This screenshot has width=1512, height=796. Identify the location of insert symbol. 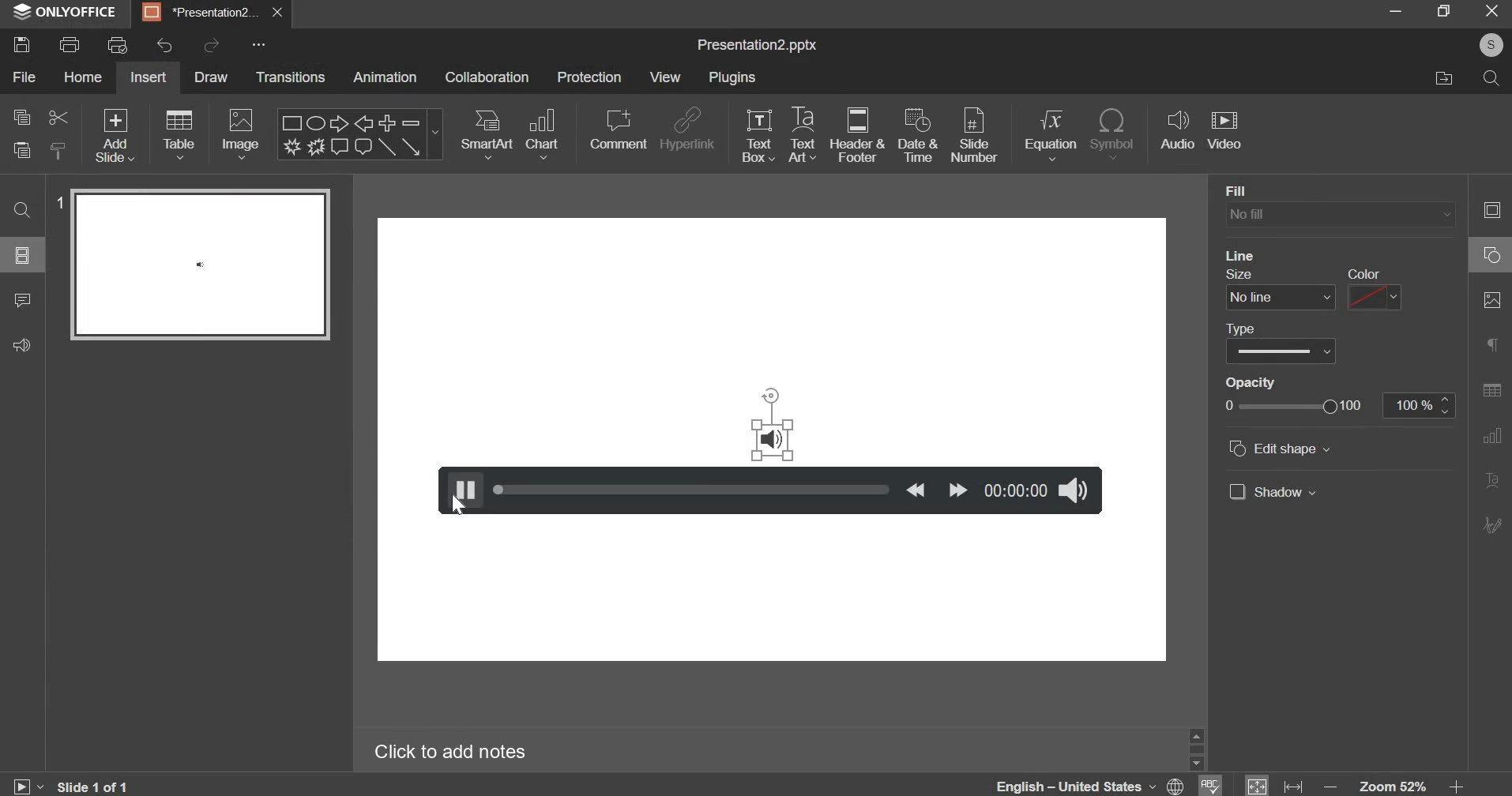
(1115, 133).